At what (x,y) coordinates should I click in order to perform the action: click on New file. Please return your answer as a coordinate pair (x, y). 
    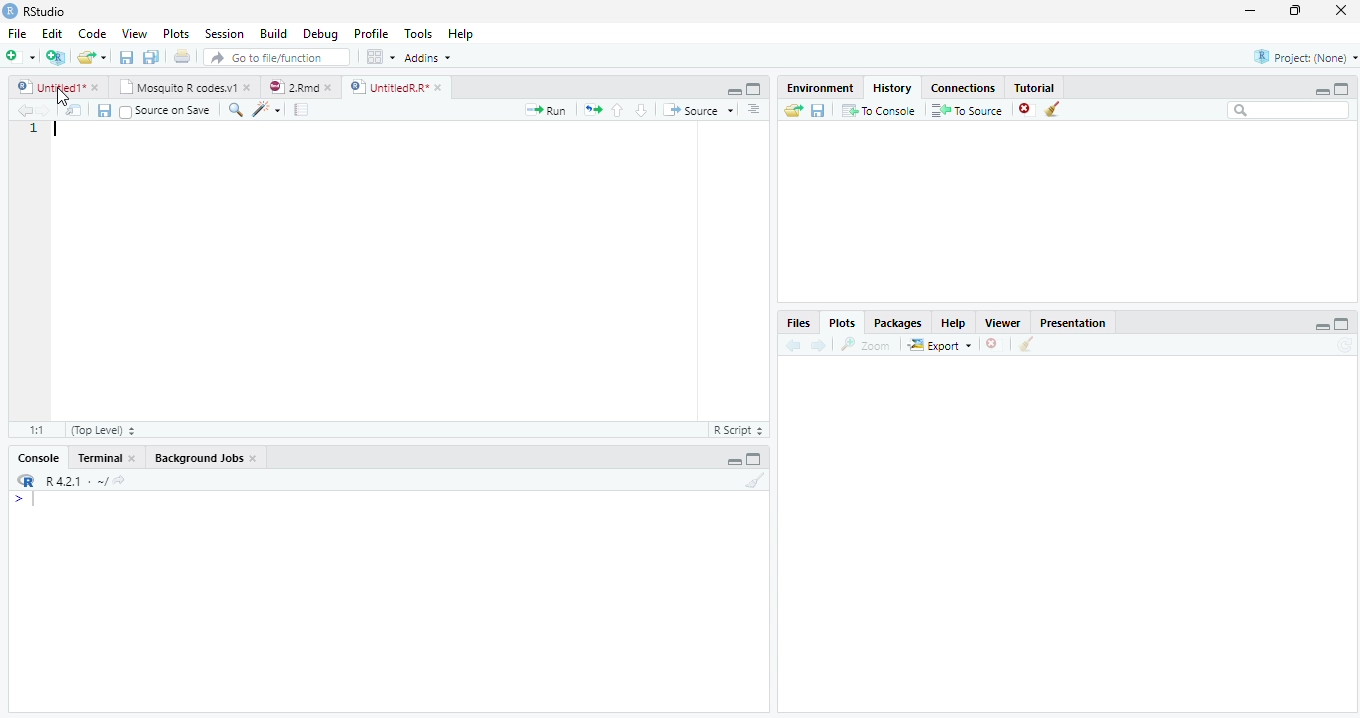
    Looking at the image, I should click on (20, 56).